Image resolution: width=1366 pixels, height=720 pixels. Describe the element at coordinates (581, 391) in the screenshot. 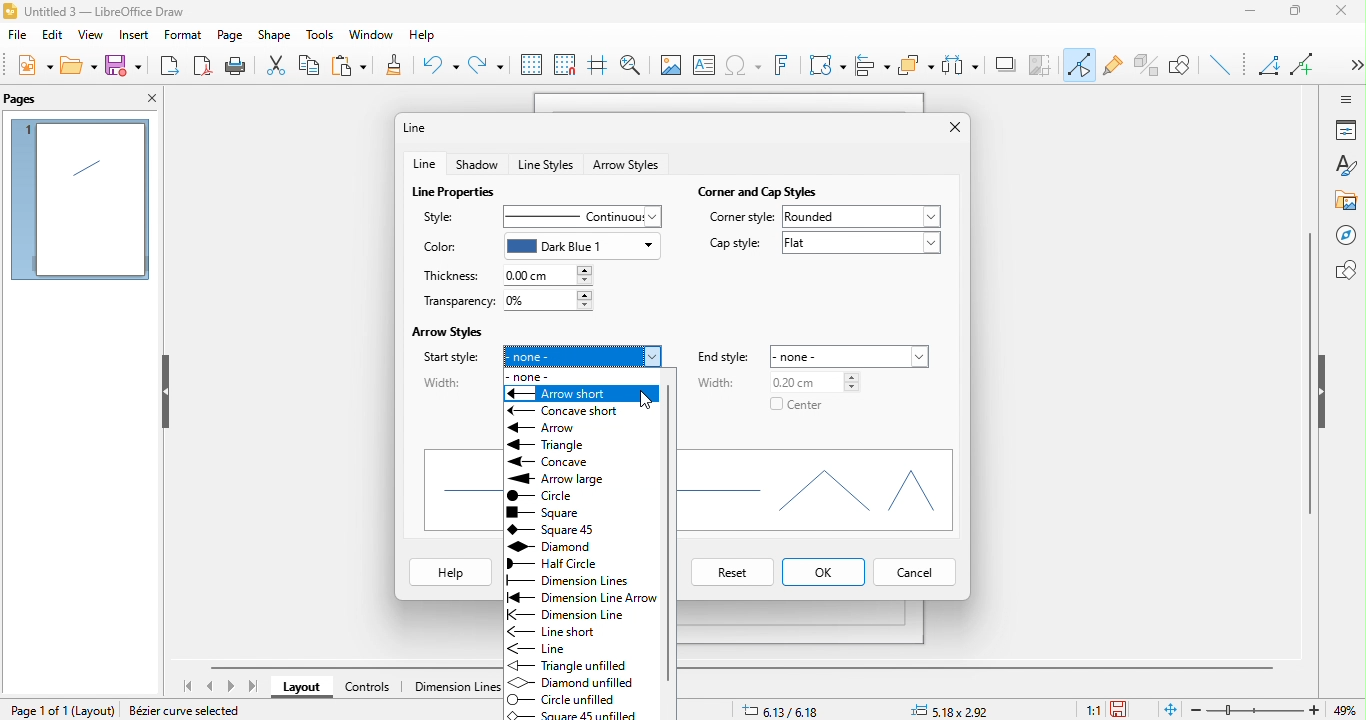

I see `arrow short` at that location.